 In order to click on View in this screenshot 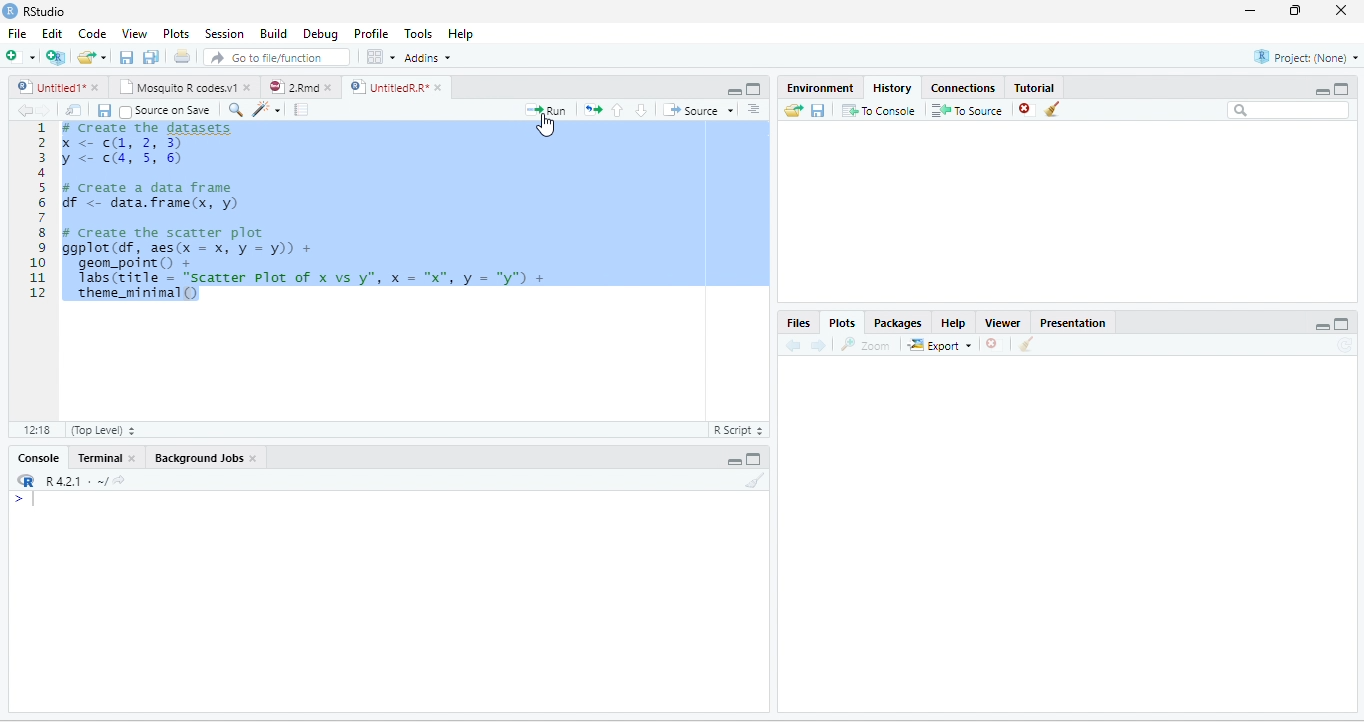, I will do `click(134, 33)`.